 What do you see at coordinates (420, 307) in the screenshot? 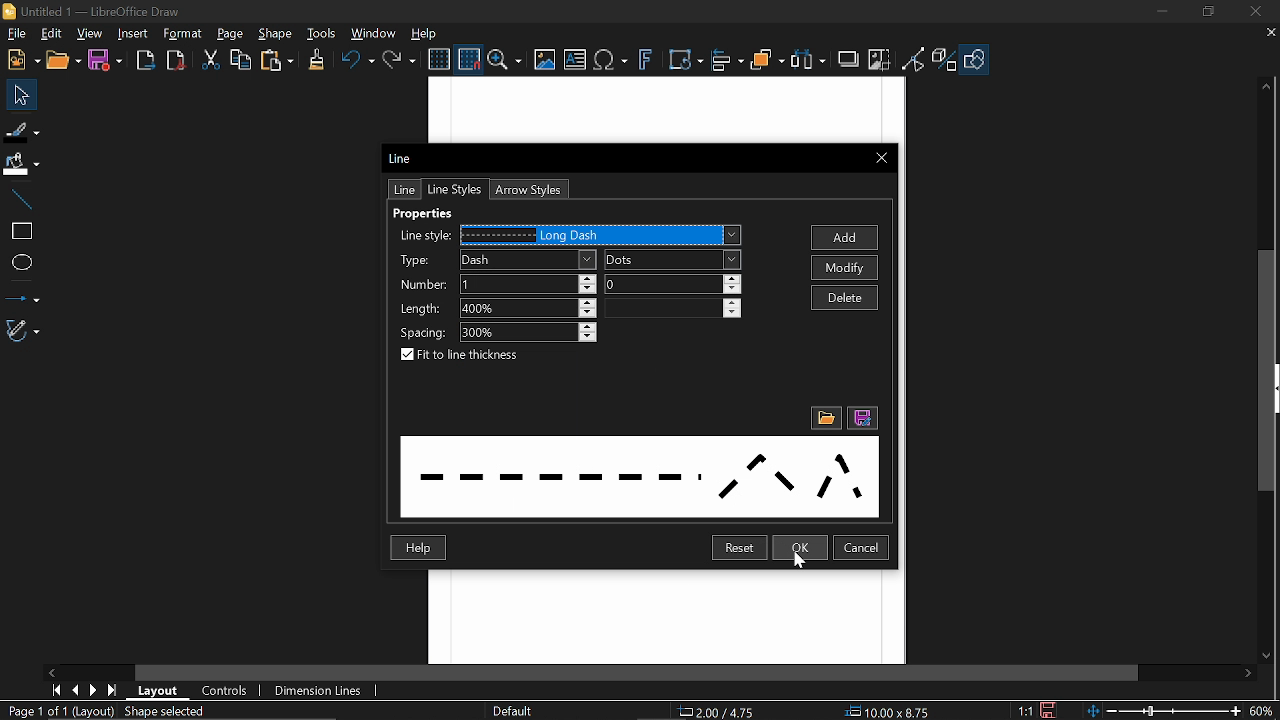
I see `Length:` at bounding box center [420, 307].